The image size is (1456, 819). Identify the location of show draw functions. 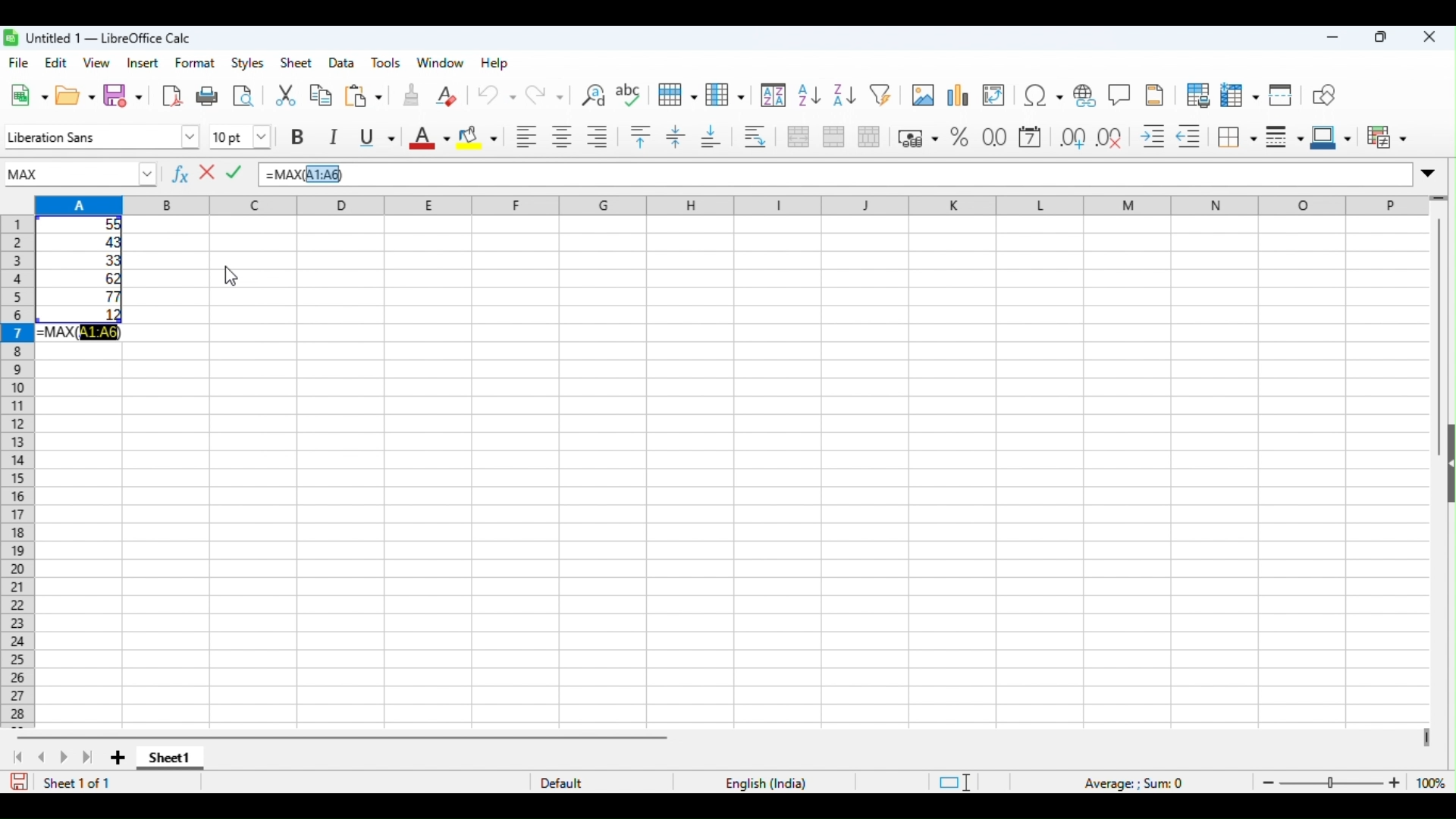
(1327, 93).